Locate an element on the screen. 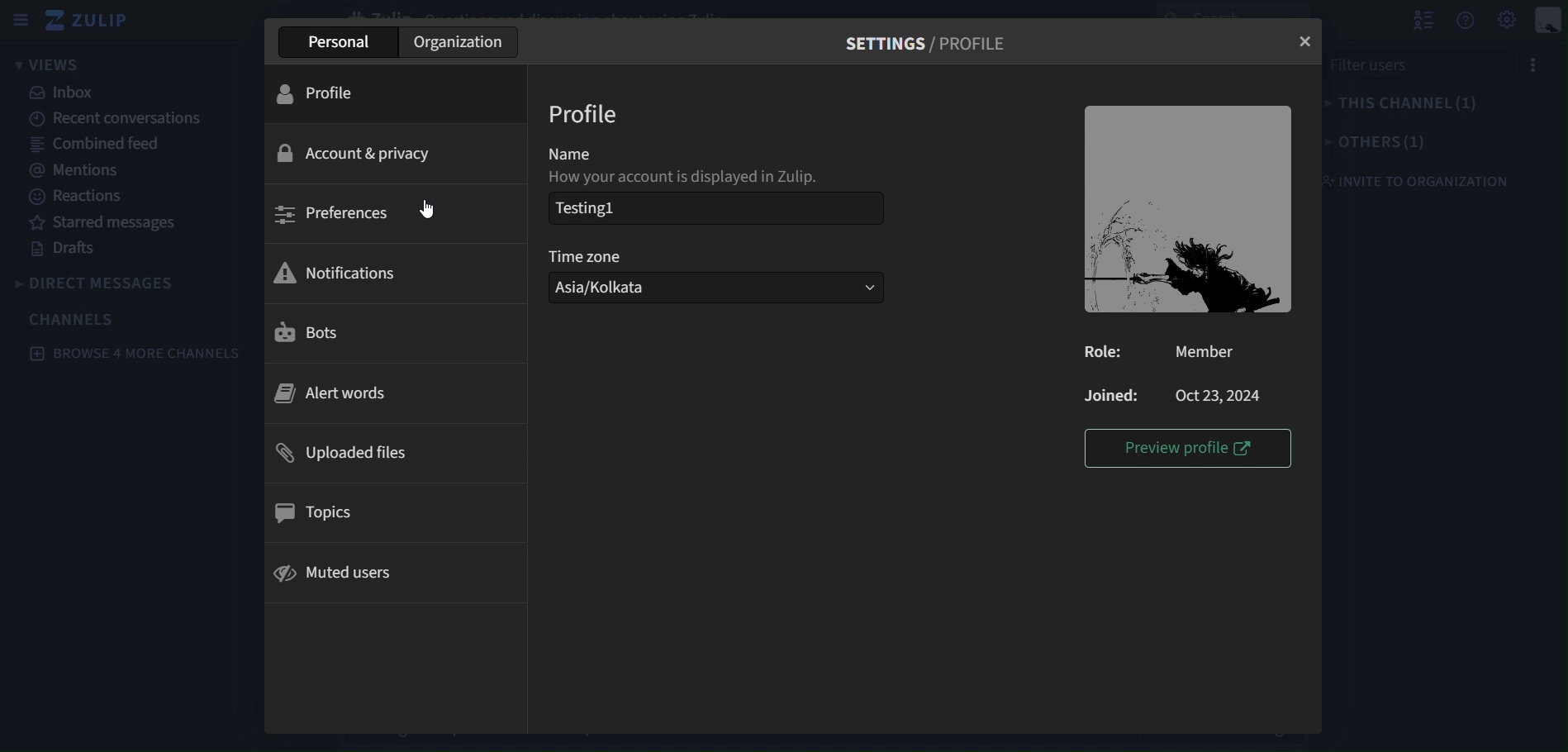 The height and width of the screenshot is (752, 1568). views is located at coordinates (48, 63).